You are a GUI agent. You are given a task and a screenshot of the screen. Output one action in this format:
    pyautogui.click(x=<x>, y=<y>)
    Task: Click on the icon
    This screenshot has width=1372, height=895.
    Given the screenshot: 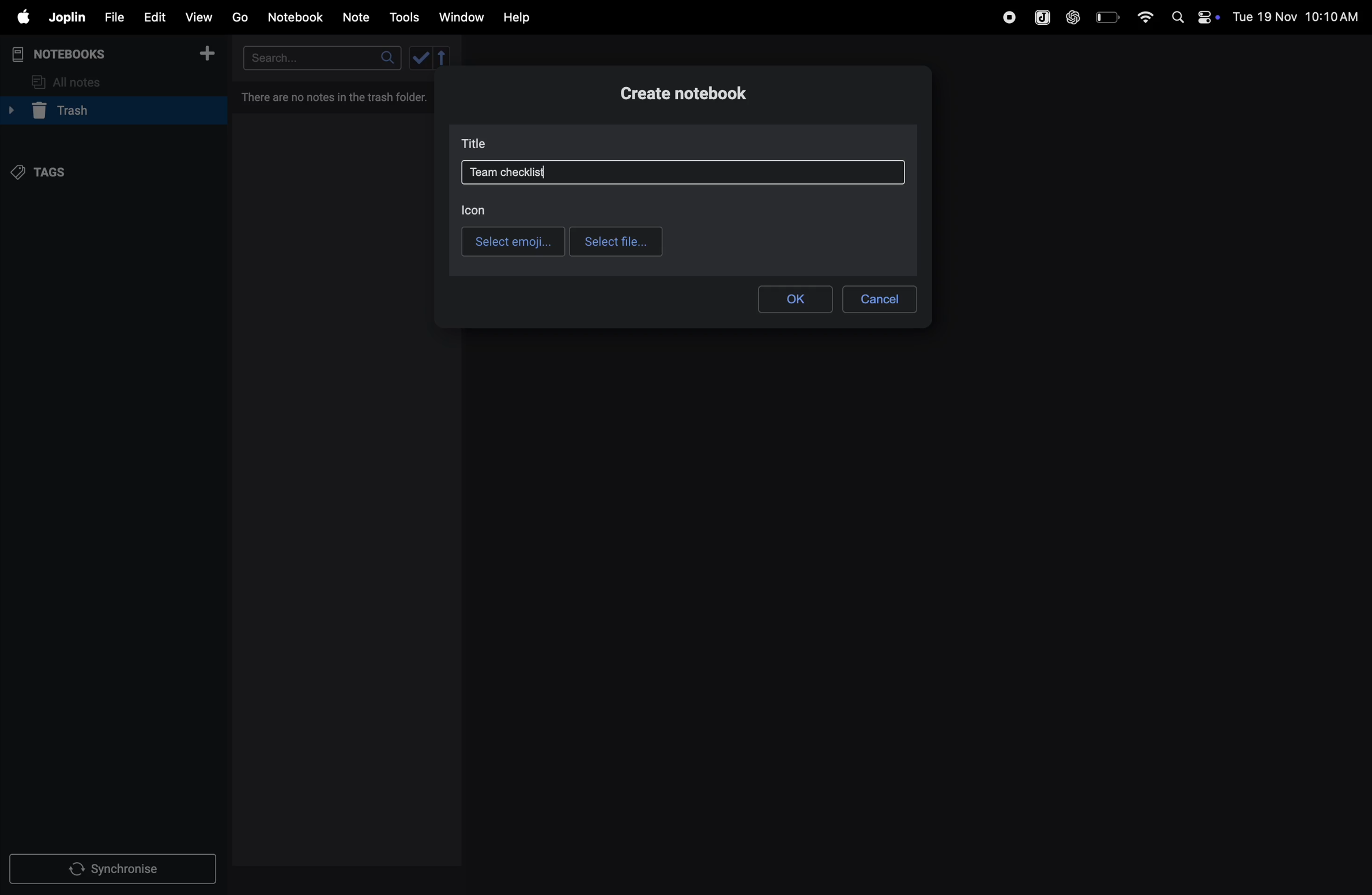 What is the action you would take?
    pyautogui.click(x=476, y=210)
    